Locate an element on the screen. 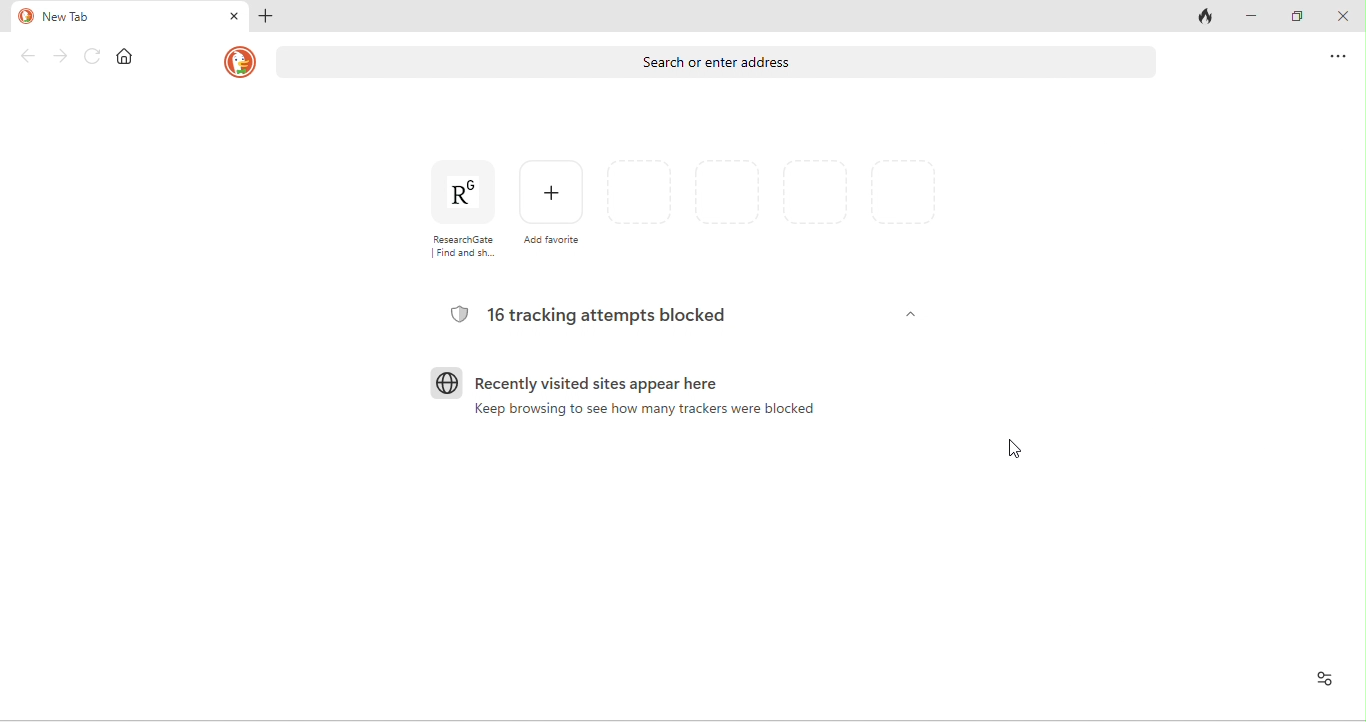 The height and width of the screenshot is (722, 1366). forward is located at coordinates (62, 59).